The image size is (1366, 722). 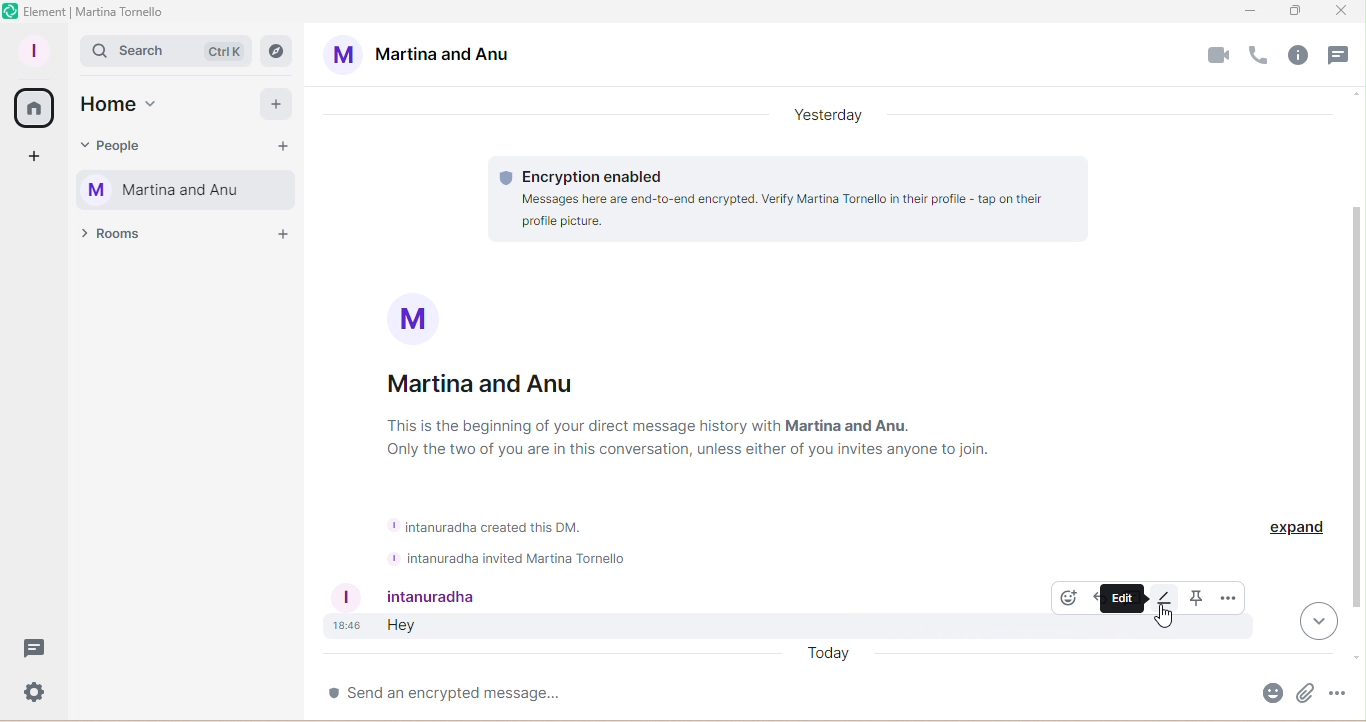 What do you see at coordinates (1270, 697) in the screenshot?
I see `Emoji` at bounding box center [1270, 697].